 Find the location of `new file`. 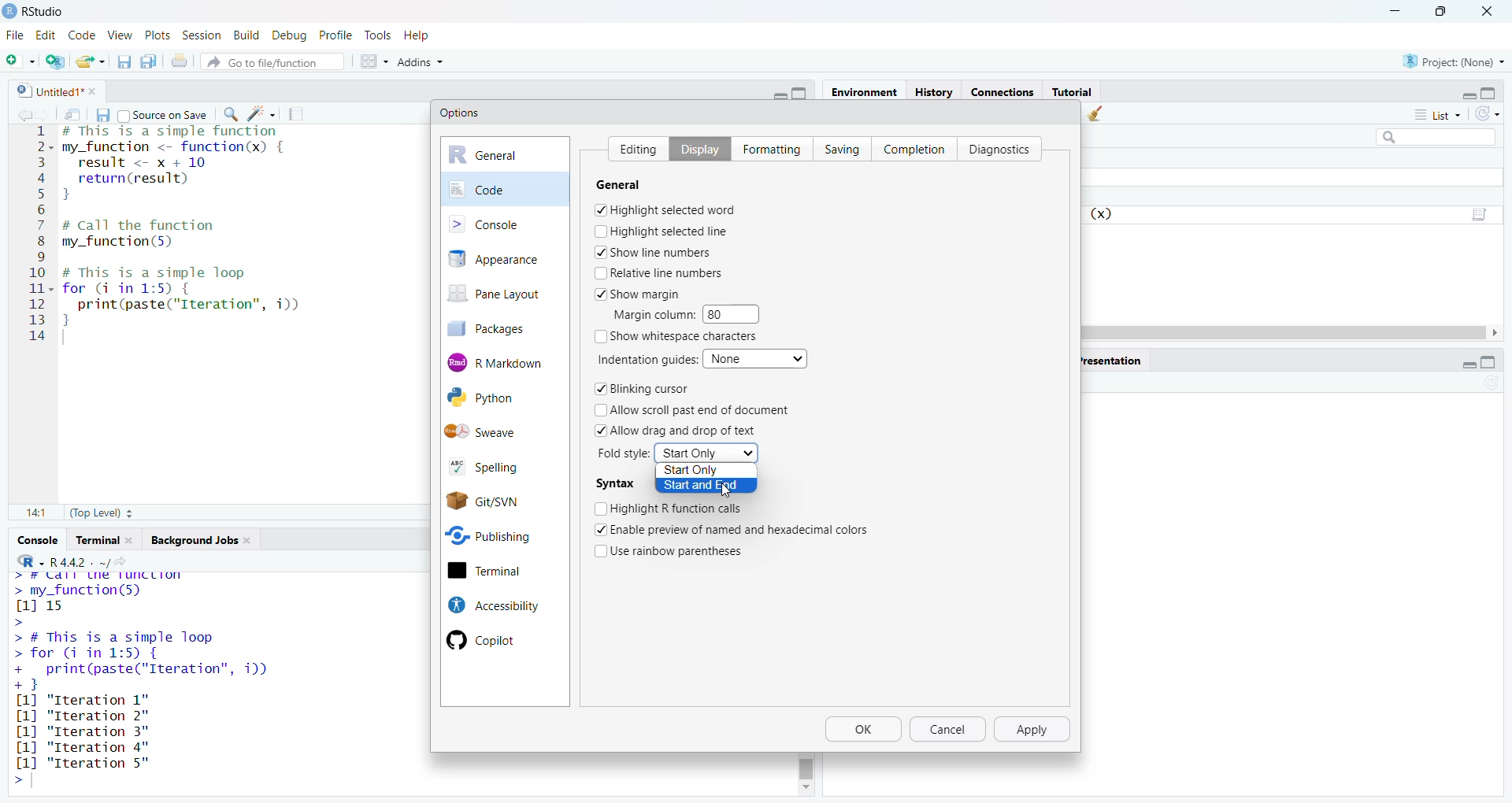

new file is located at coordinates (20, 58).